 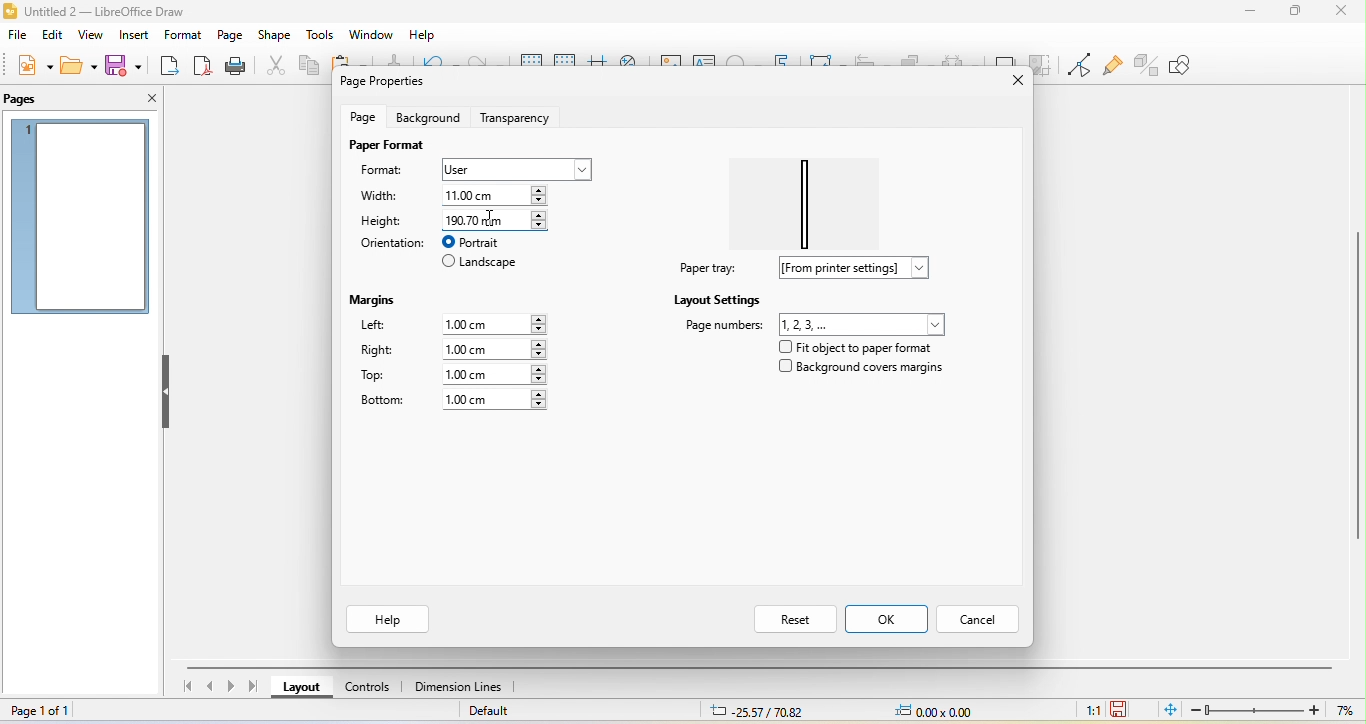 What do you see at coordinates (55, 35) in the screenshot?
I see `edit` at bounding box center [55, 35].